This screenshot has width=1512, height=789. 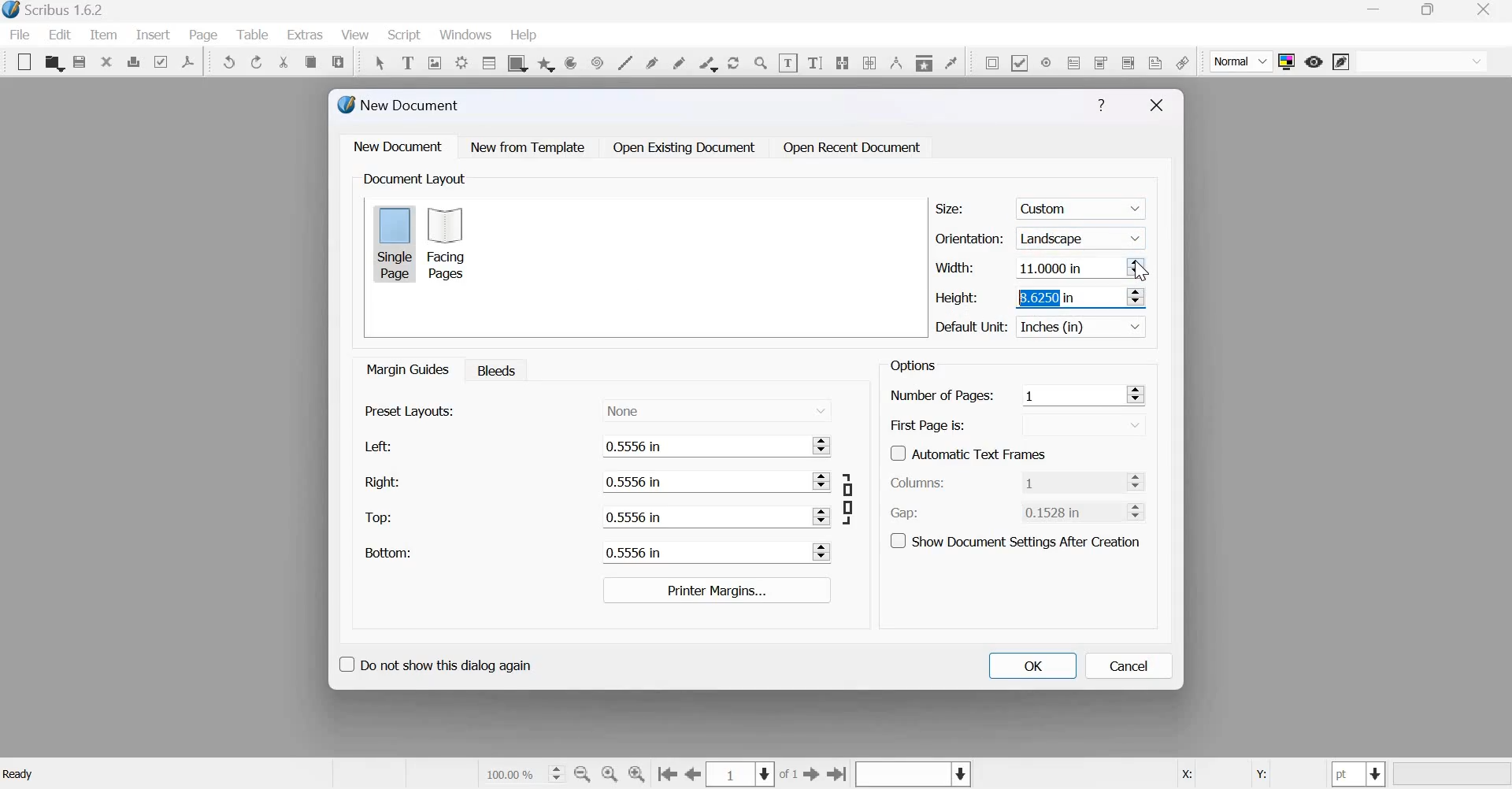 What do you see at coordinates (969, 452) in the screenshot?
I see `Automatic Text Frames` at bounding box center [969, 452].